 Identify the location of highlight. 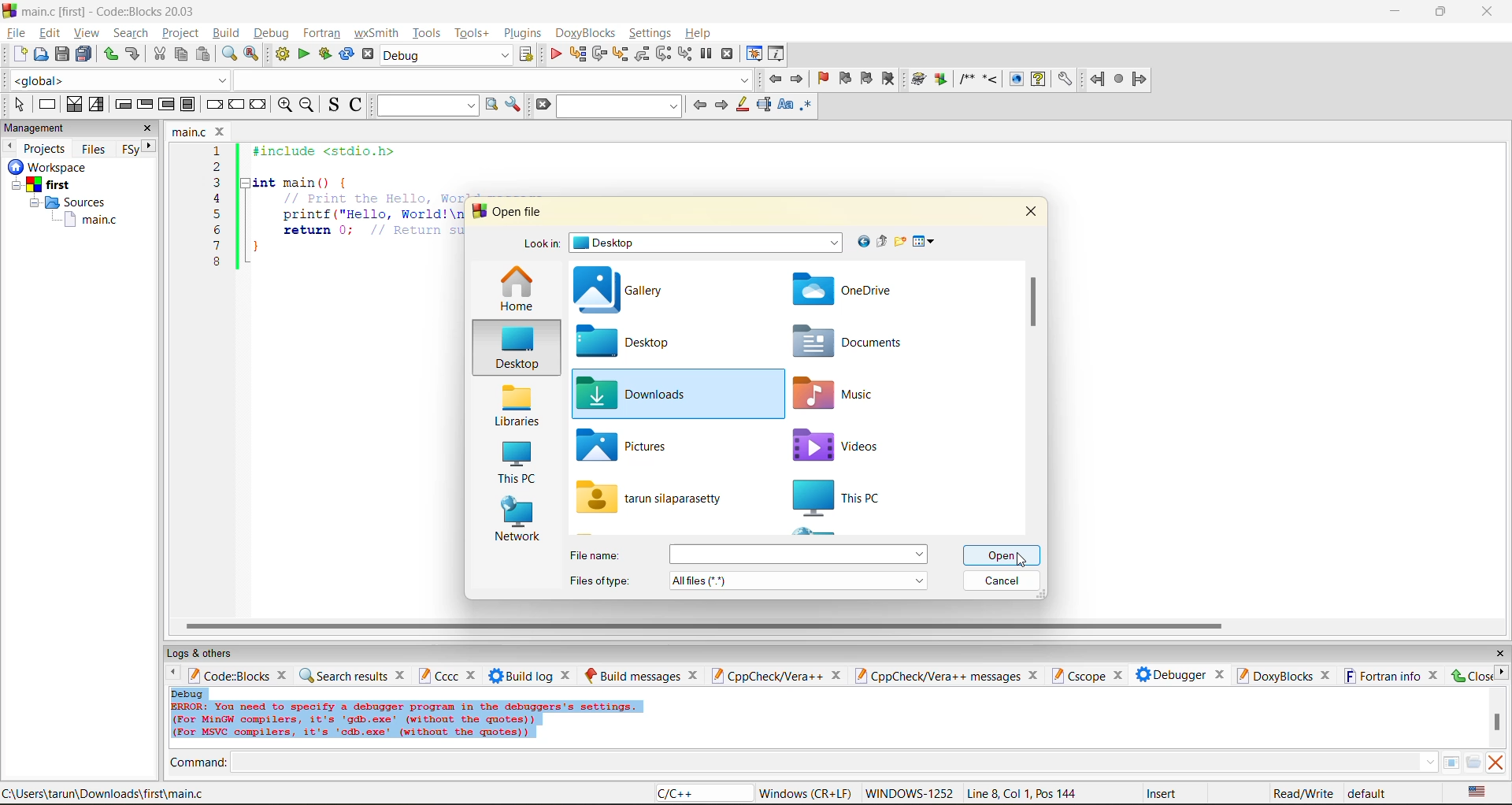
(741, 106).